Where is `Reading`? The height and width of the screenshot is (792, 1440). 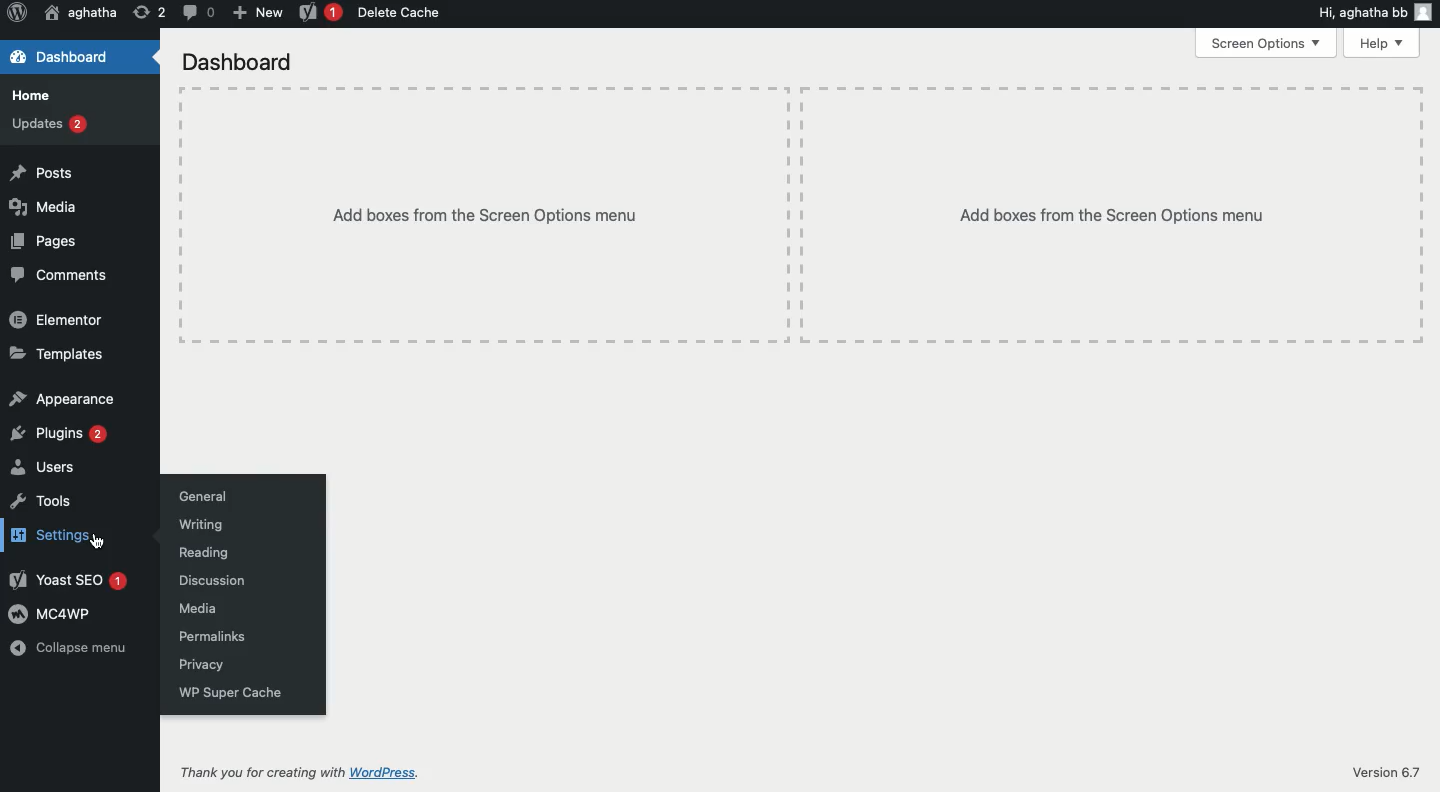 Reading is located at coordinates (203, 552).